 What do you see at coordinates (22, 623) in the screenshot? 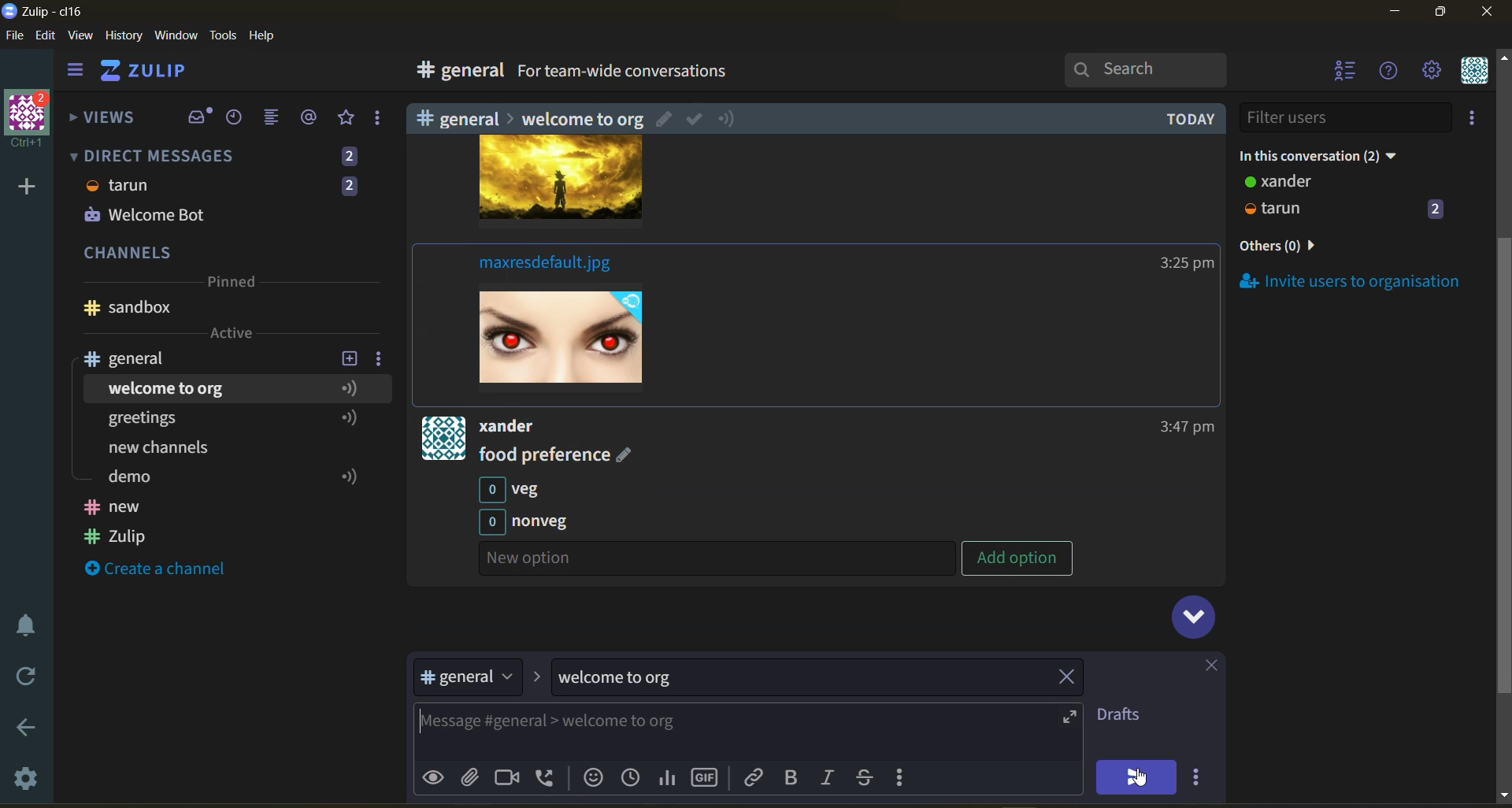
I see `enable do not disturb` at bounding box center [22, 623].